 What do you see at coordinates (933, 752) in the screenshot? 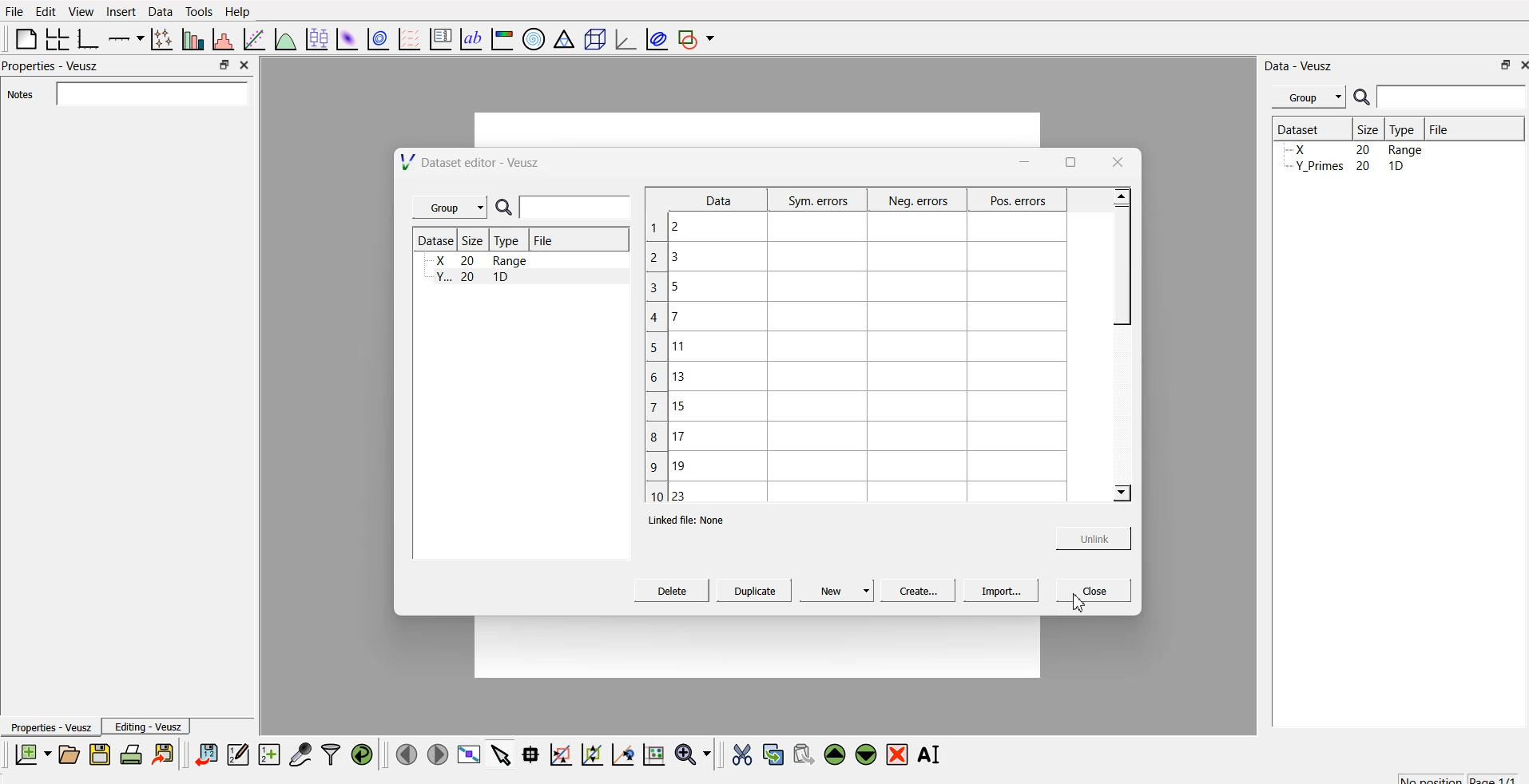
I see `rename the selected widget` at bounding box center [933, 752].